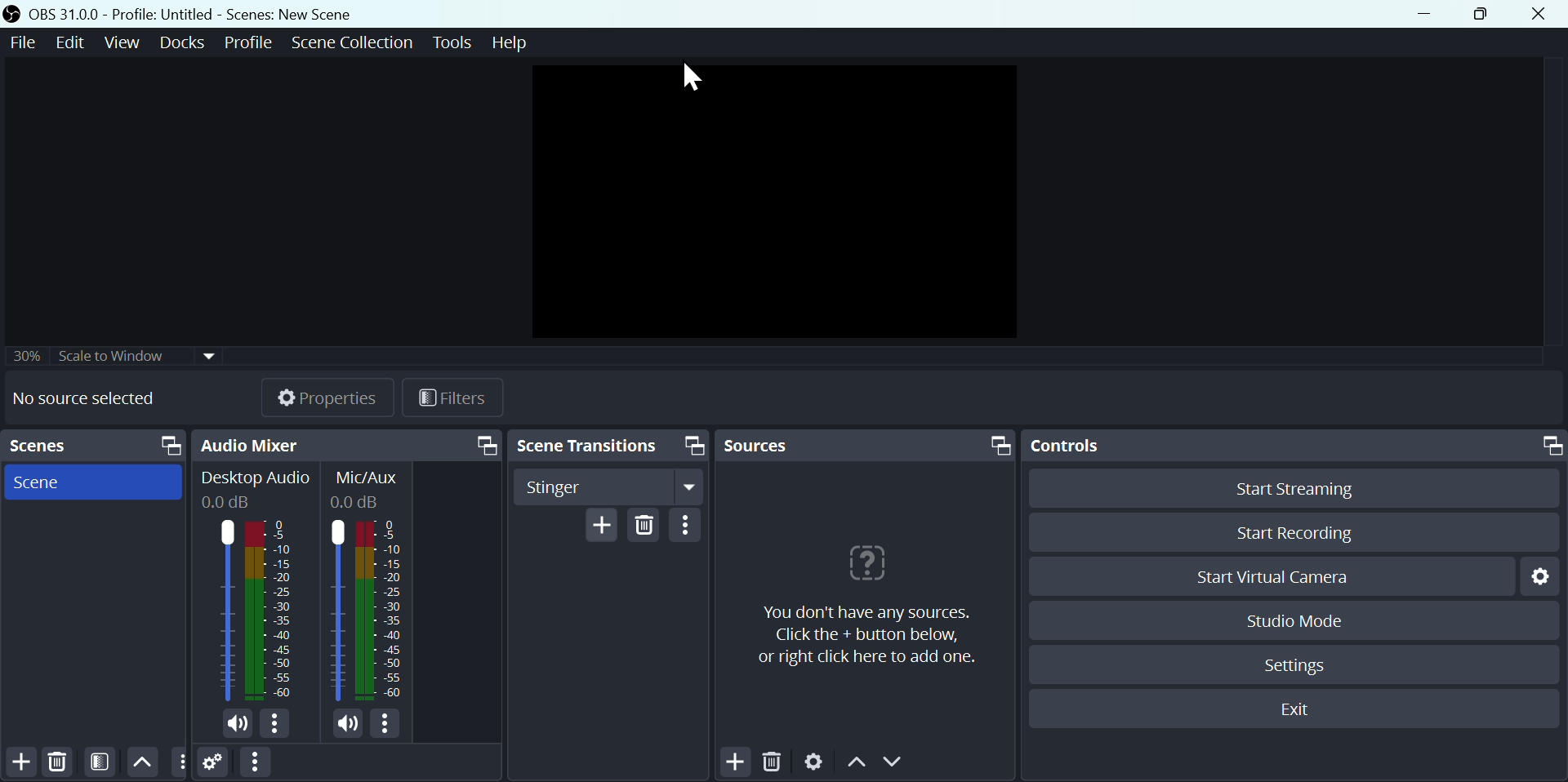 The height and width of the screenshot is (782, 1568). What do you see at coordinates (185, 42) in the screenshot?
I see `` at bounding box center [185, 42].